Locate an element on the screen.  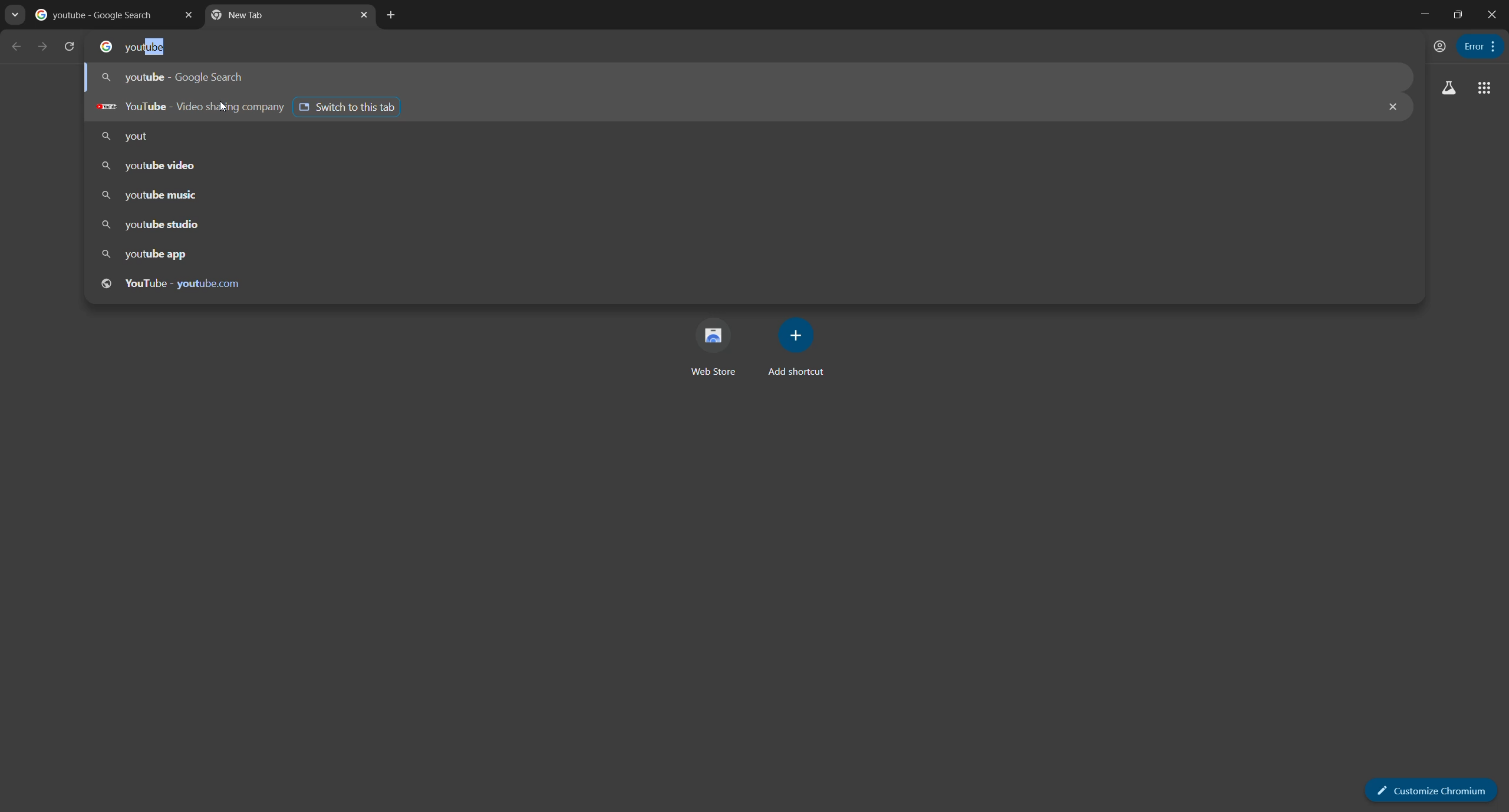
search tabs is located at coordinates (15, 17).